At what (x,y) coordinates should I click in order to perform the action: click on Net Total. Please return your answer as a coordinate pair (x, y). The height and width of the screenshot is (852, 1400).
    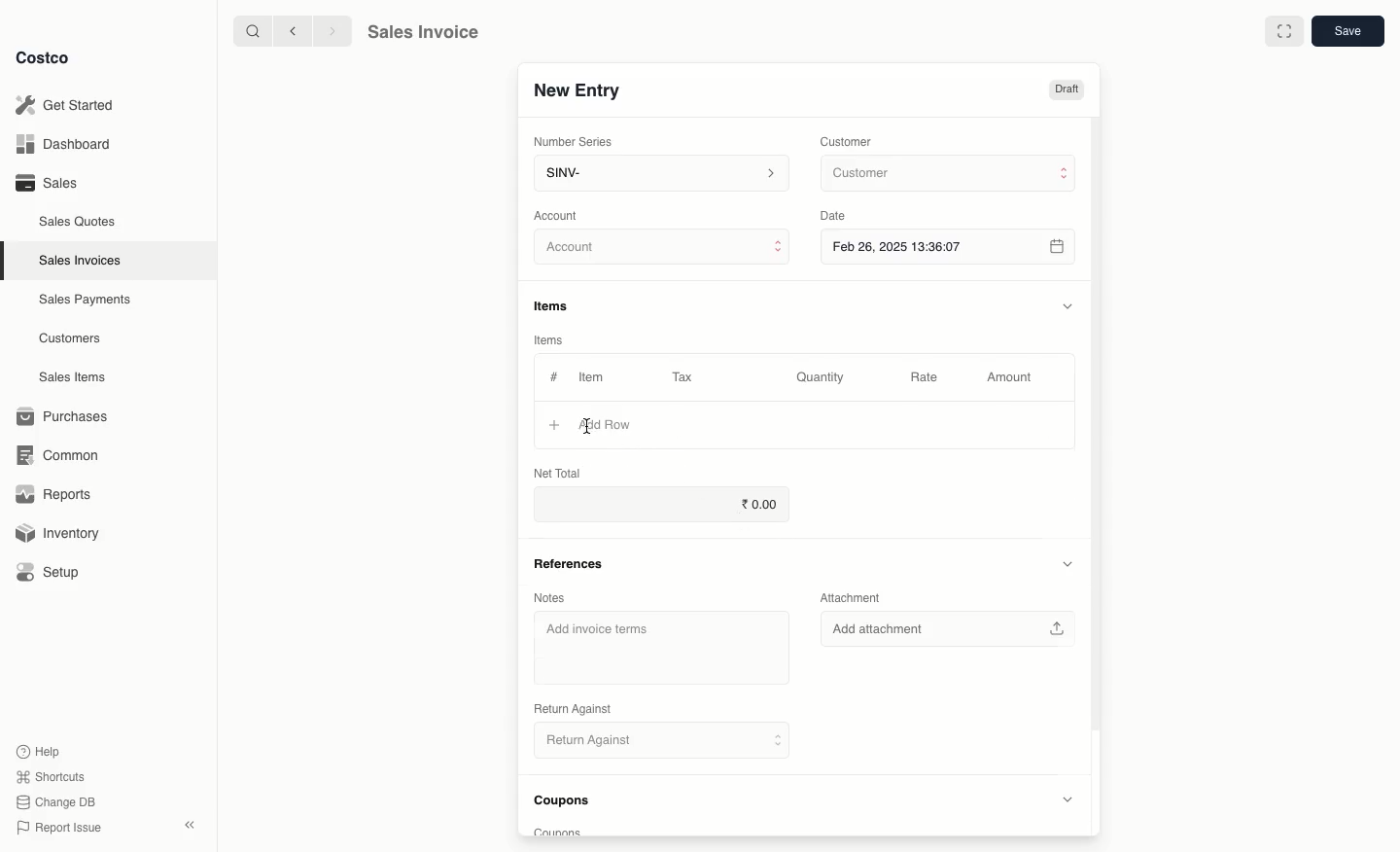
    Looking at the image, I should click on (556, 473).